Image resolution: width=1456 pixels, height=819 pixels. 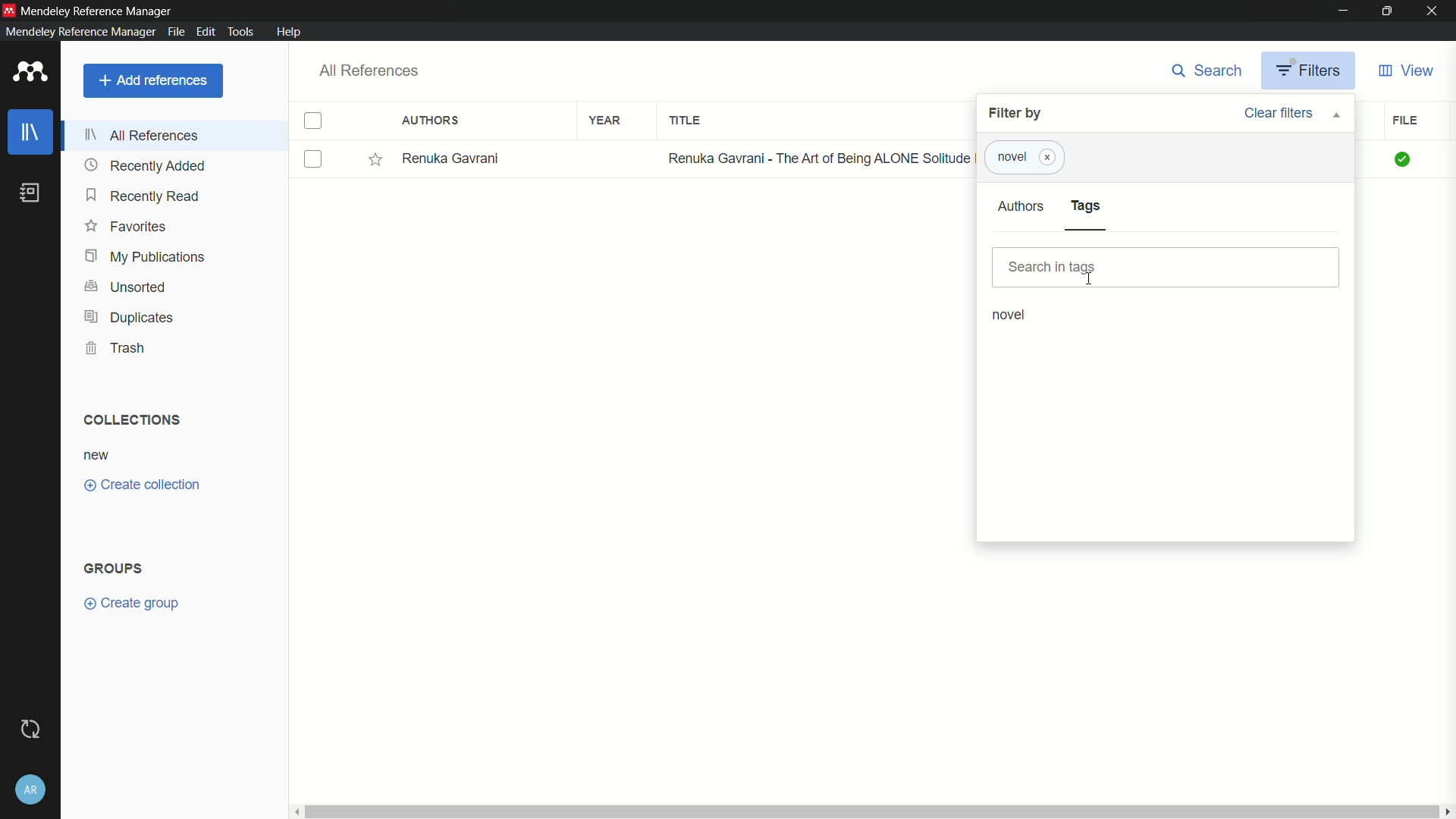 What do you see at coordinates (130, 420) in the screenshot?
I see `collection` at bounding box center [130, 420].